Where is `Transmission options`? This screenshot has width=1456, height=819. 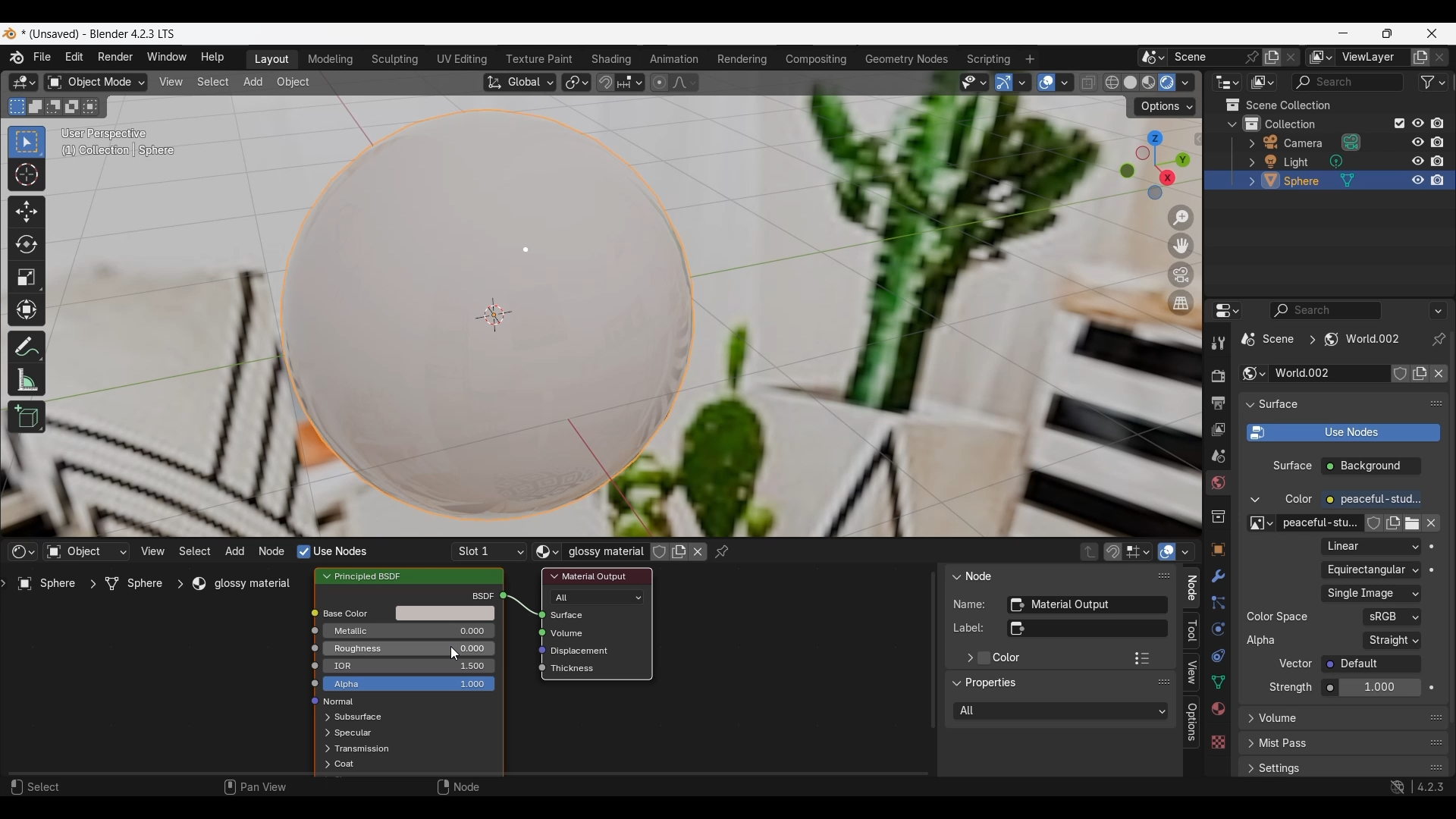
Transmission options is located at coordinates (364, 748).